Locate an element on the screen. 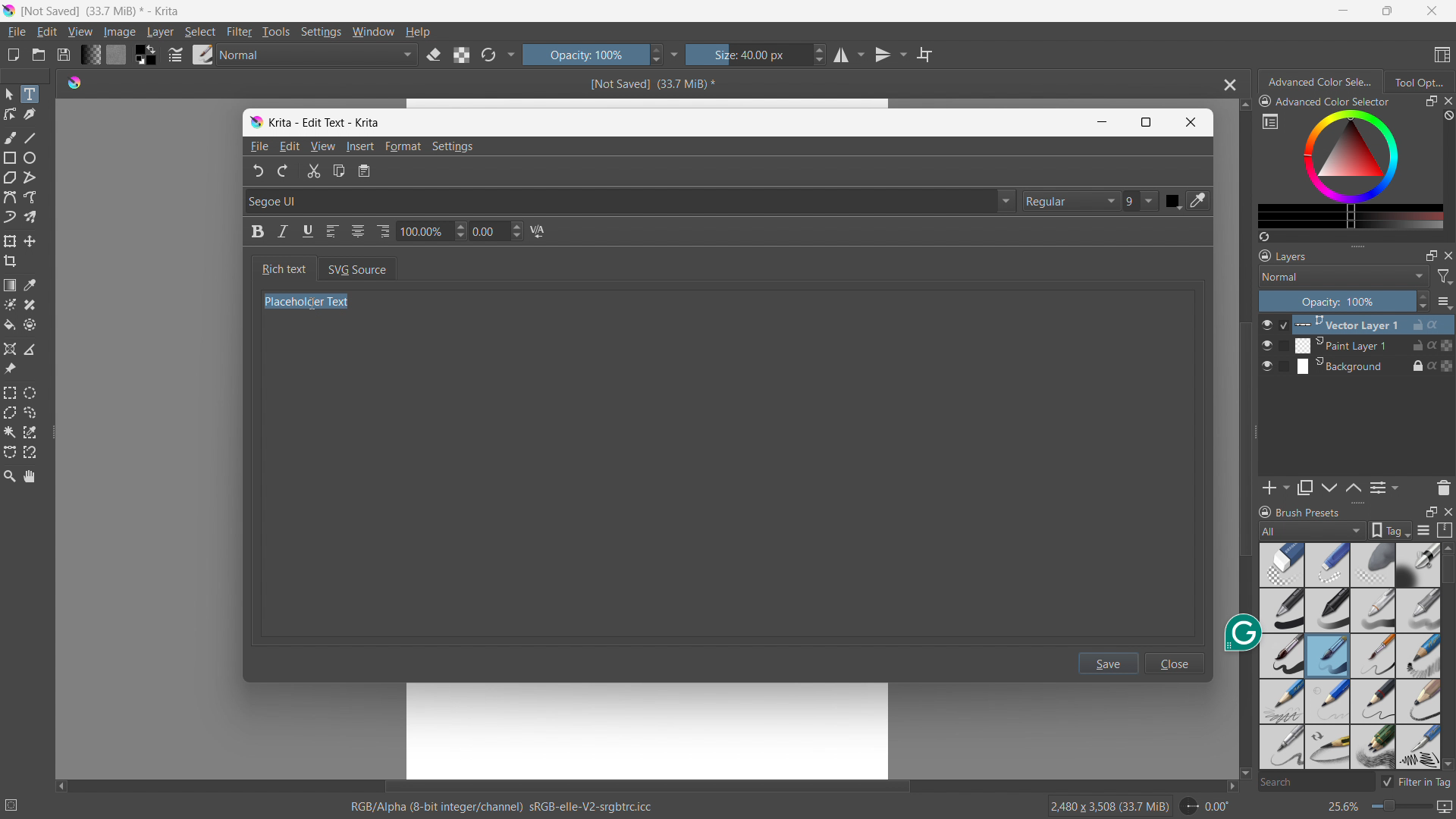 The width and height of the screenshot is (1456, 819). file is located at coordinates (16, 32).